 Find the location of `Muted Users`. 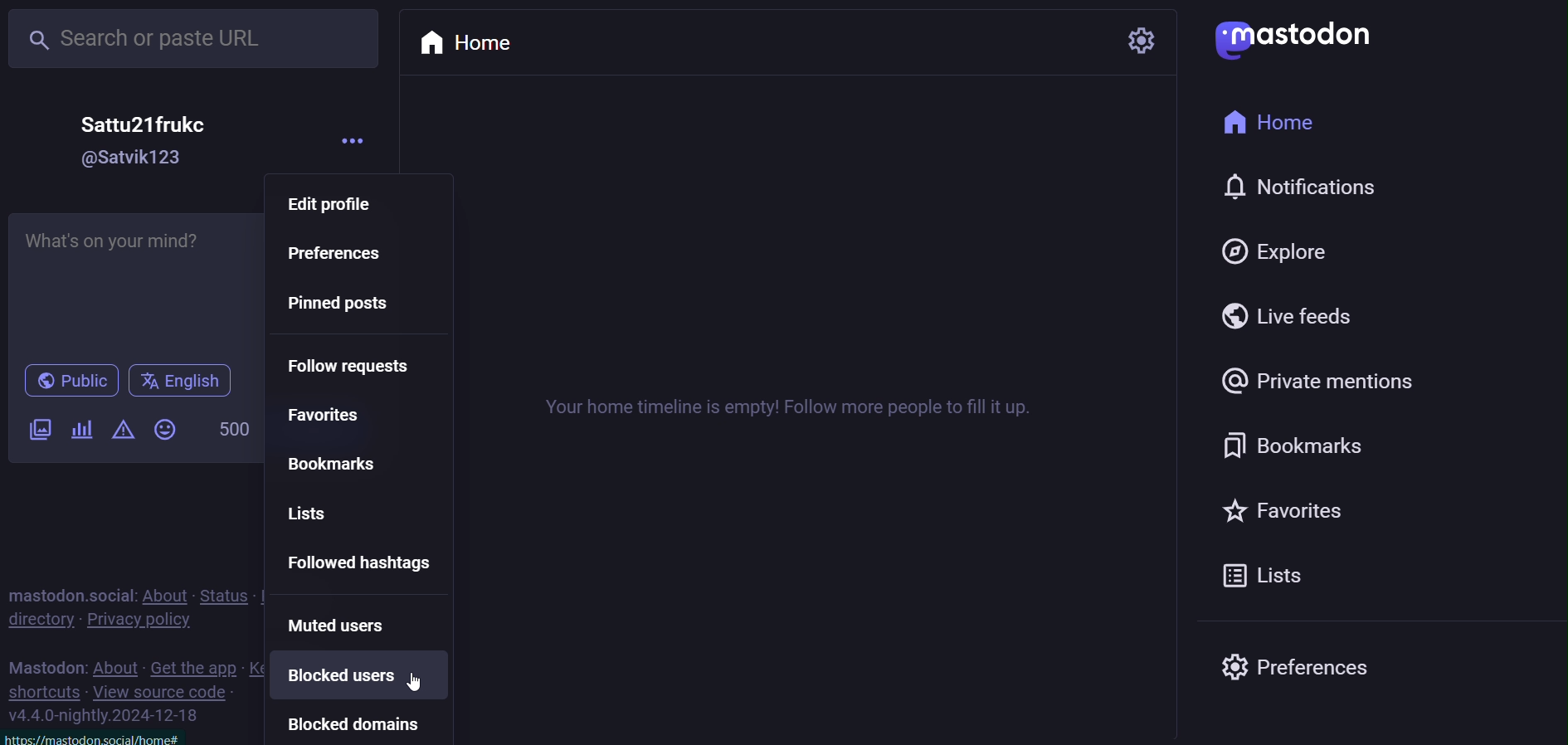

Muted Users is located at coordinates (353, 626).